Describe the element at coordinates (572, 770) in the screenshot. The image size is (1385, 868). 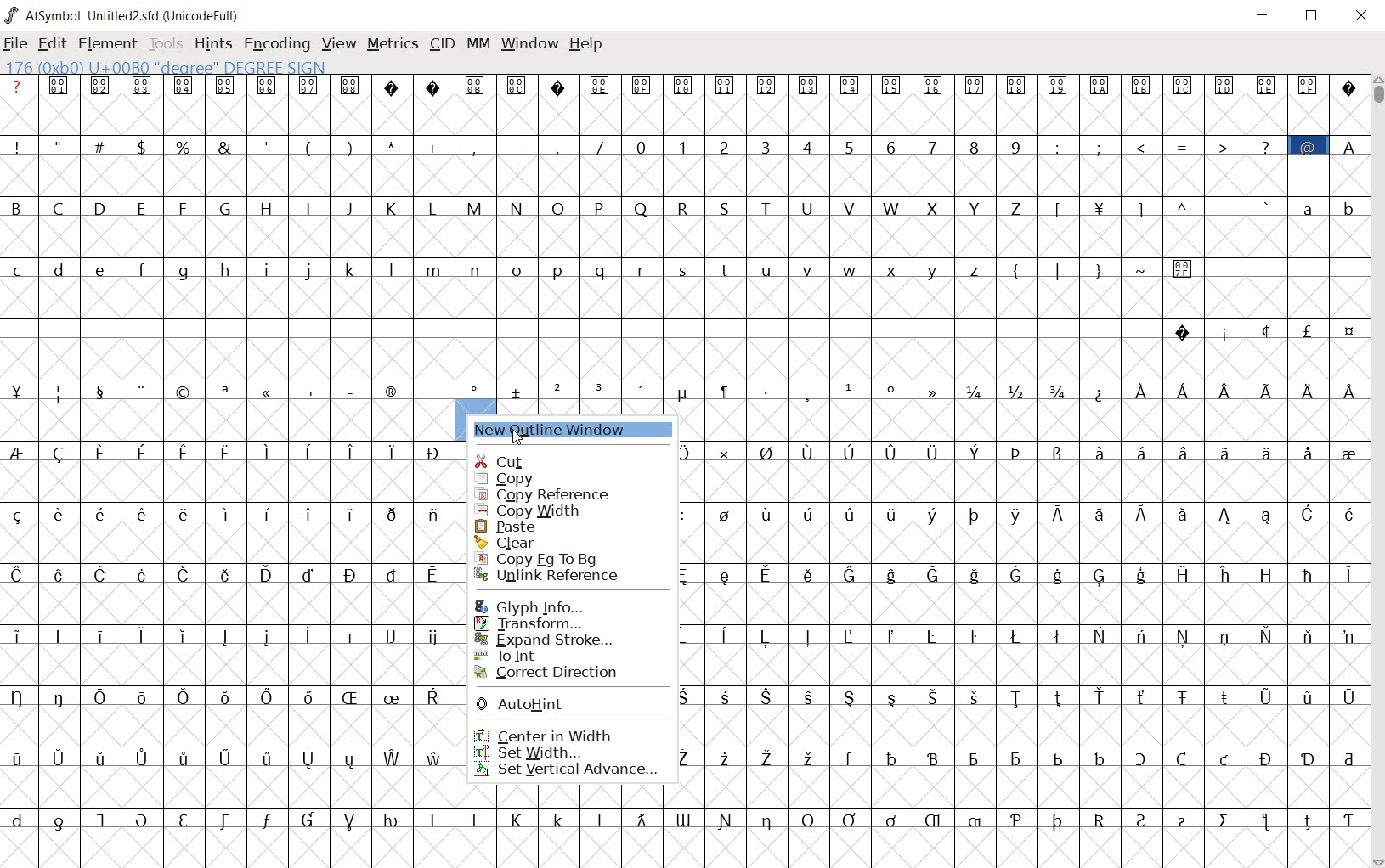
I see `set vertical advance` at that location.